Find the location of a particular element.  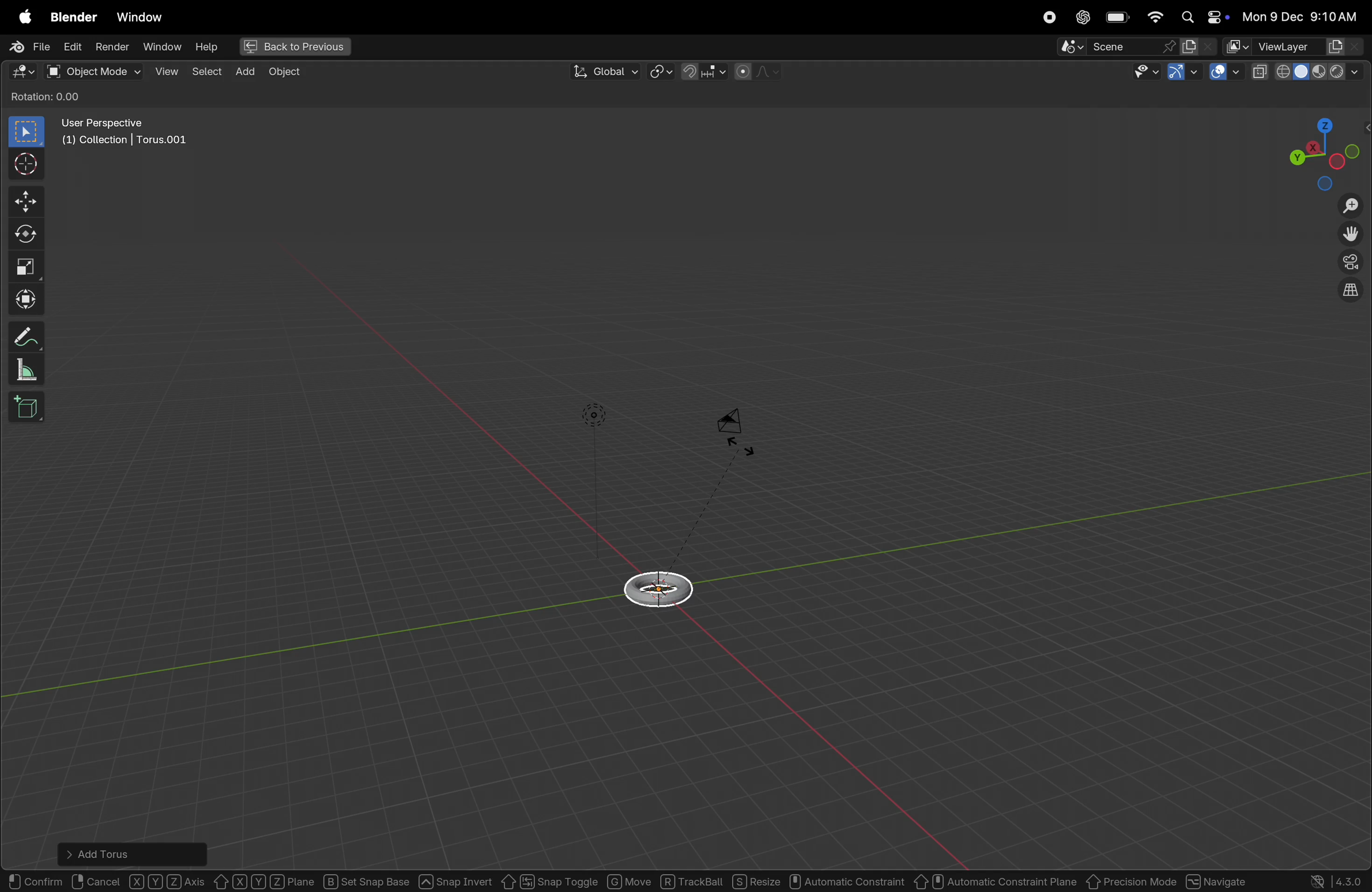

view point is located at coordinates (1321, 151).